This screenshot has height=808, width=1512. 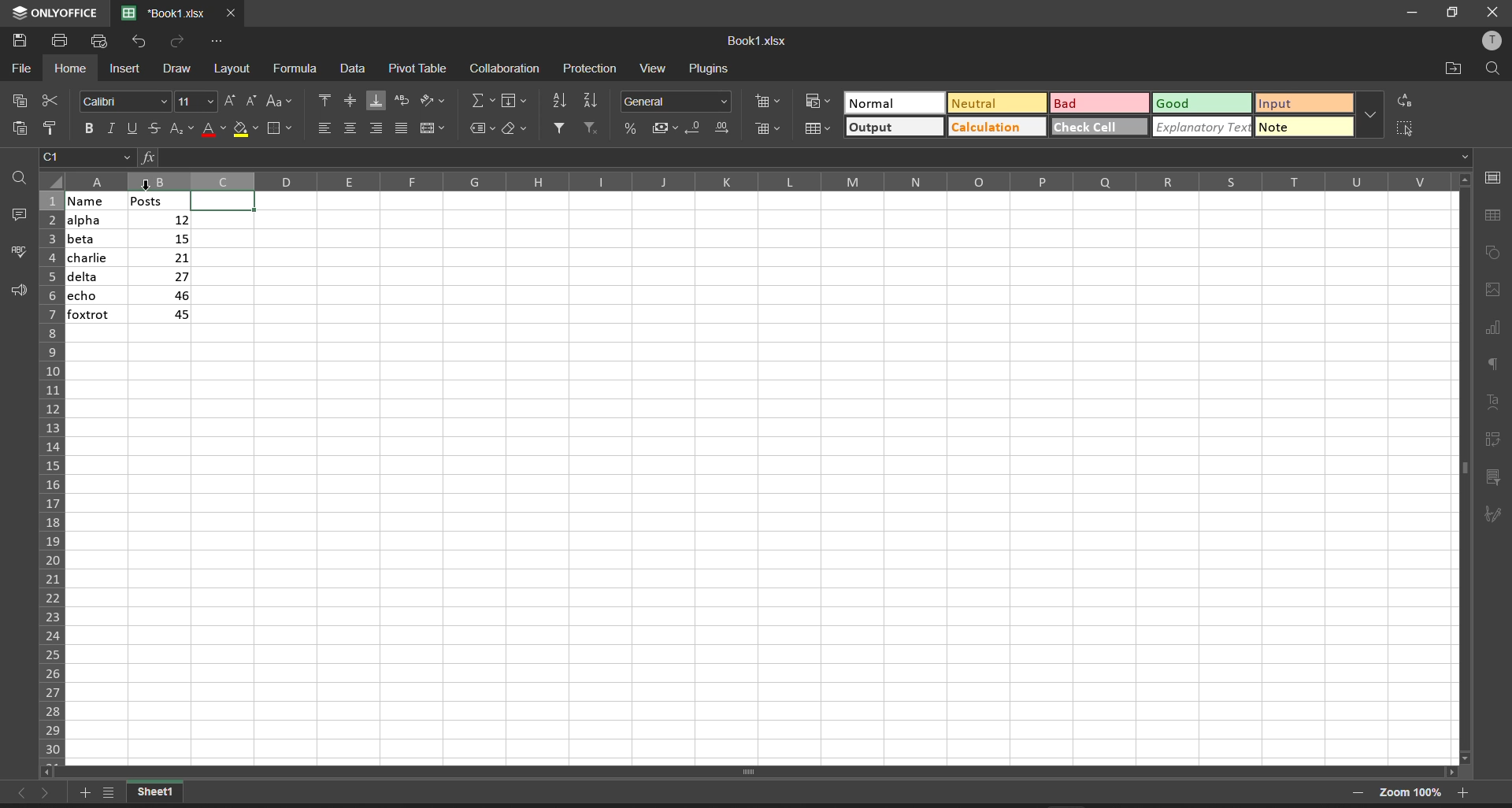 What do you see at coordinates (17, 251) in the screenshot?
I see `spell checking` at bounding box center [17, 251].